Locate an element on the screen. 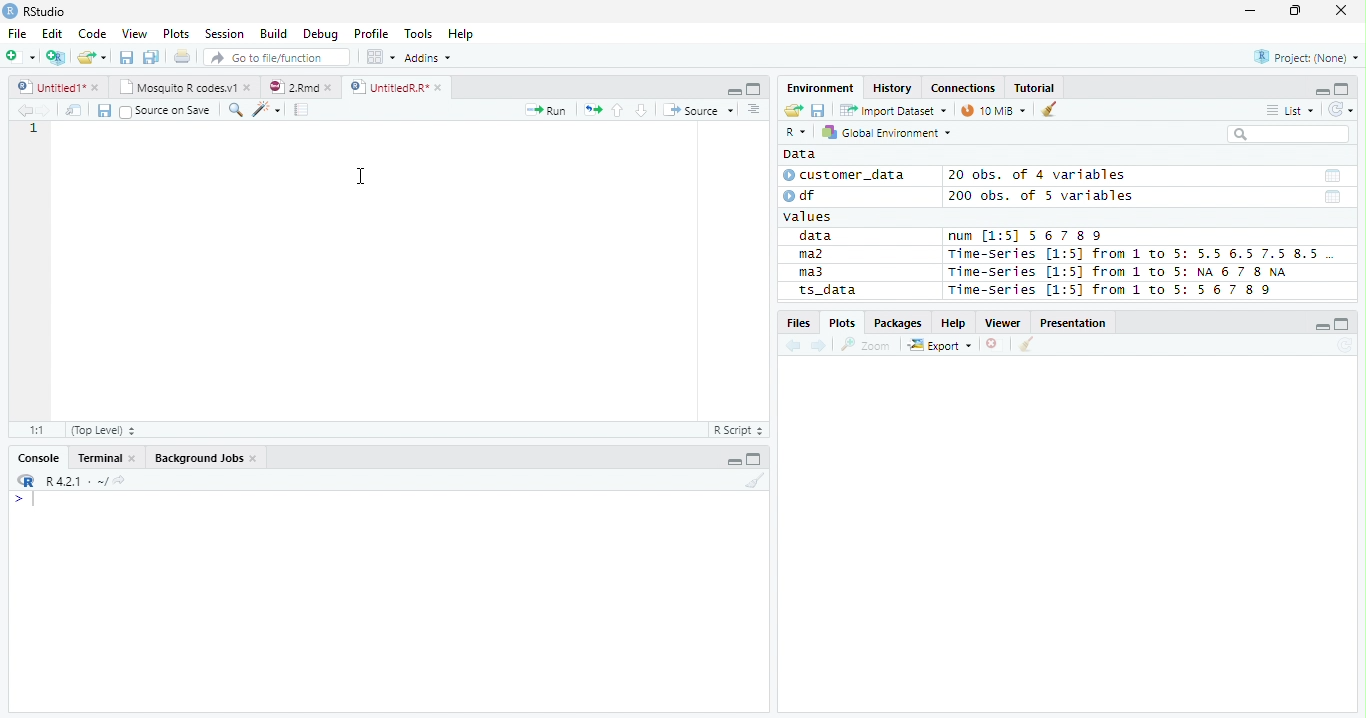  Restore Down is located at coordinates (1298, 11).